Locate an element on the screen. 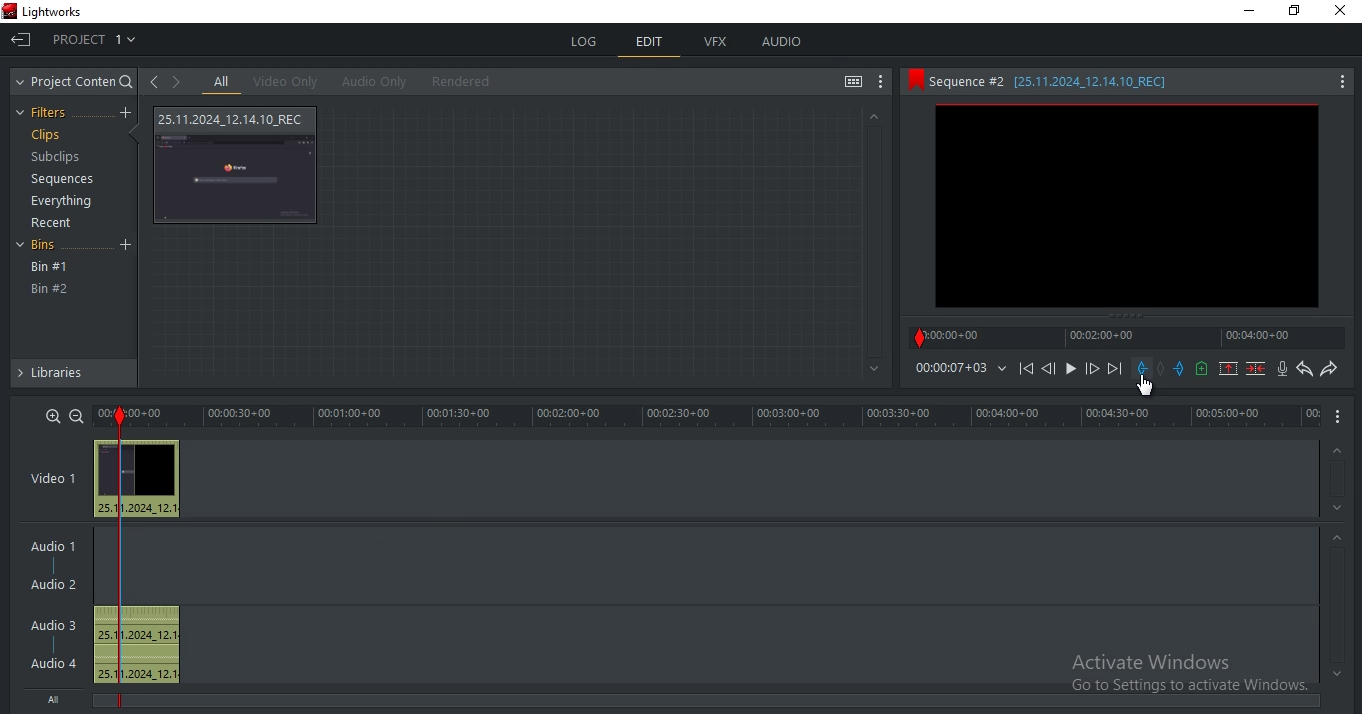  Lightwork Logo is located at coordinates (9, 10).